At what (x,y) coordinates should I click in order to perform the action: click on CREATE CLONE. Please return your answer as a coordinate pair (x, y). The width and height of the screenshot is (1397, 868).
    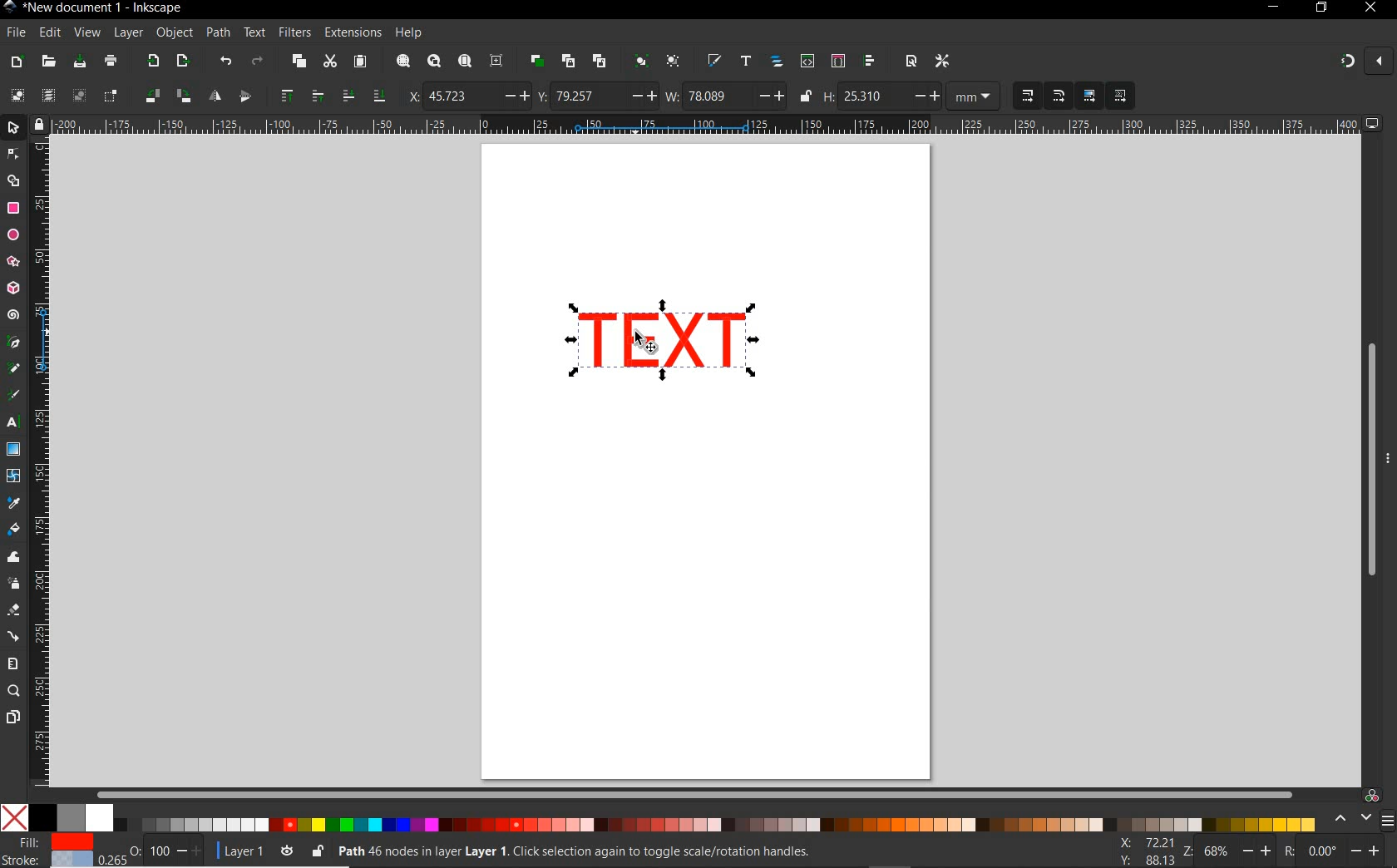
    Looking at the image, I should click on (568, 60).